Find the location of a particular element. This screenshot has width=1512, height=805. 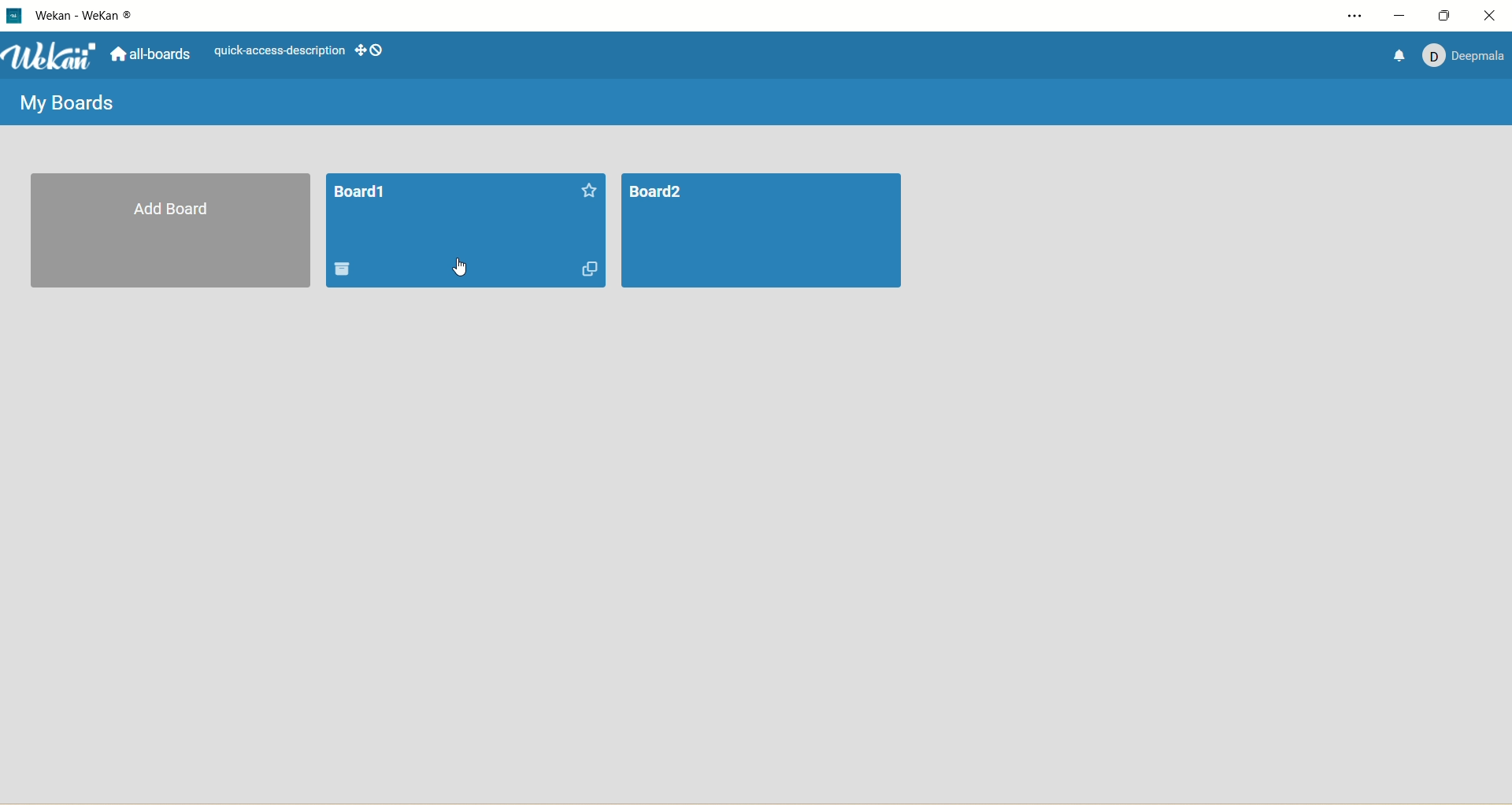

all boards is located at coordinates (149, 57).